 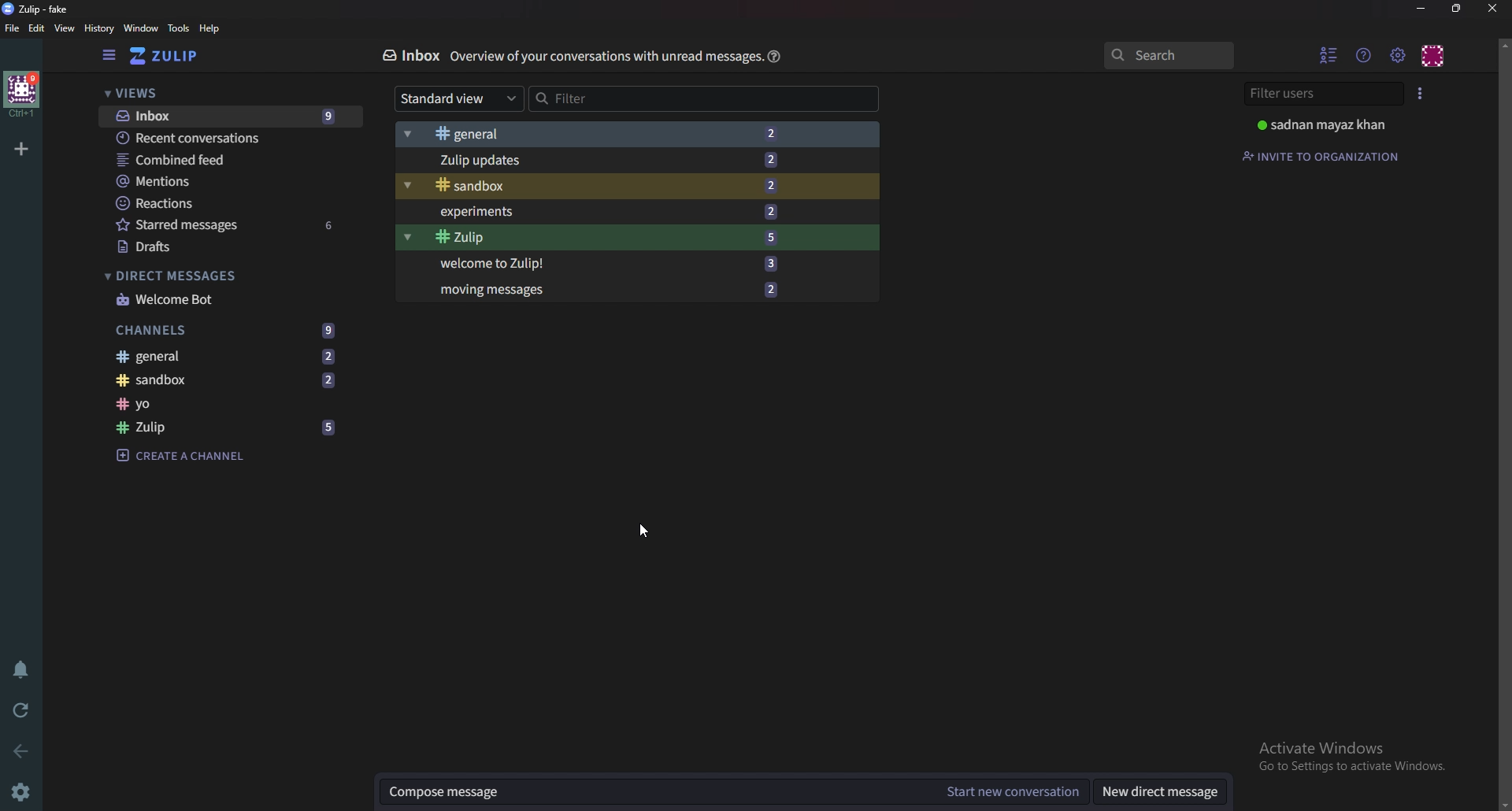 What do you see at coordinates (617, 135) in the screenshot?
I see `General` at bounding box center [617, 135].